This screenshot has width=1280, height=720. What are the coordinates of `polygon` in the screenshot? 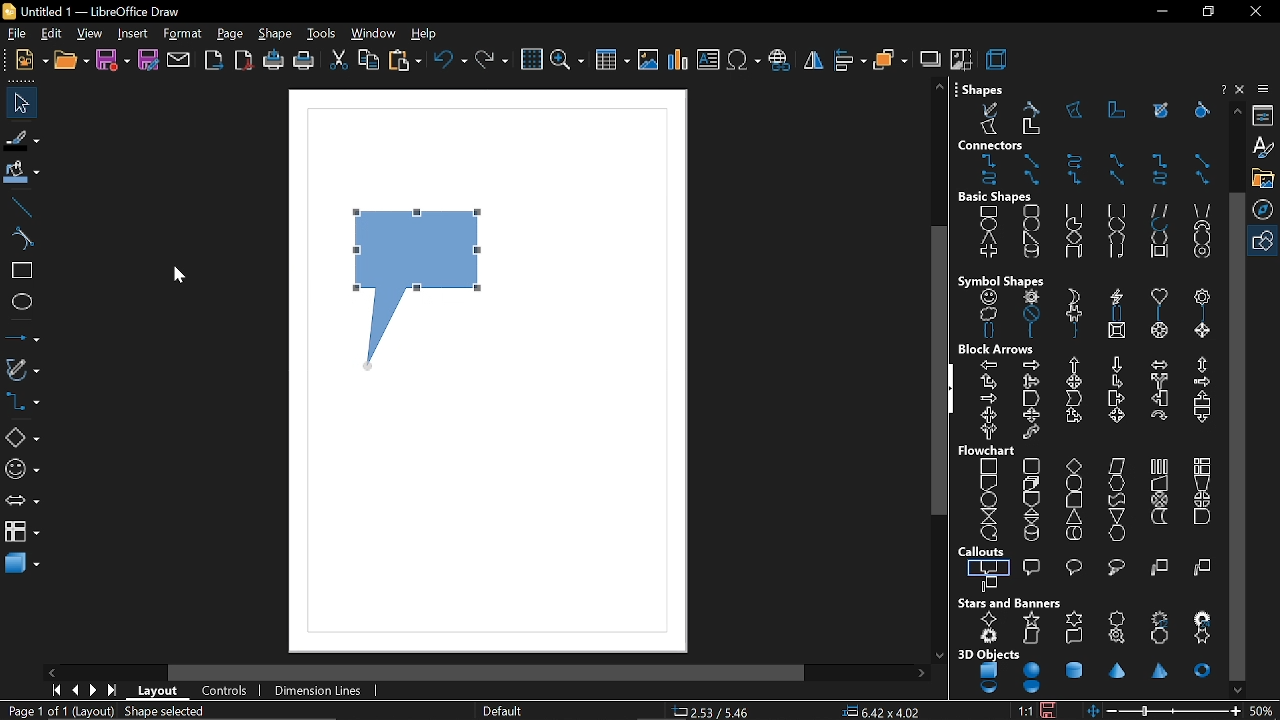 It's located at (1076, 111).